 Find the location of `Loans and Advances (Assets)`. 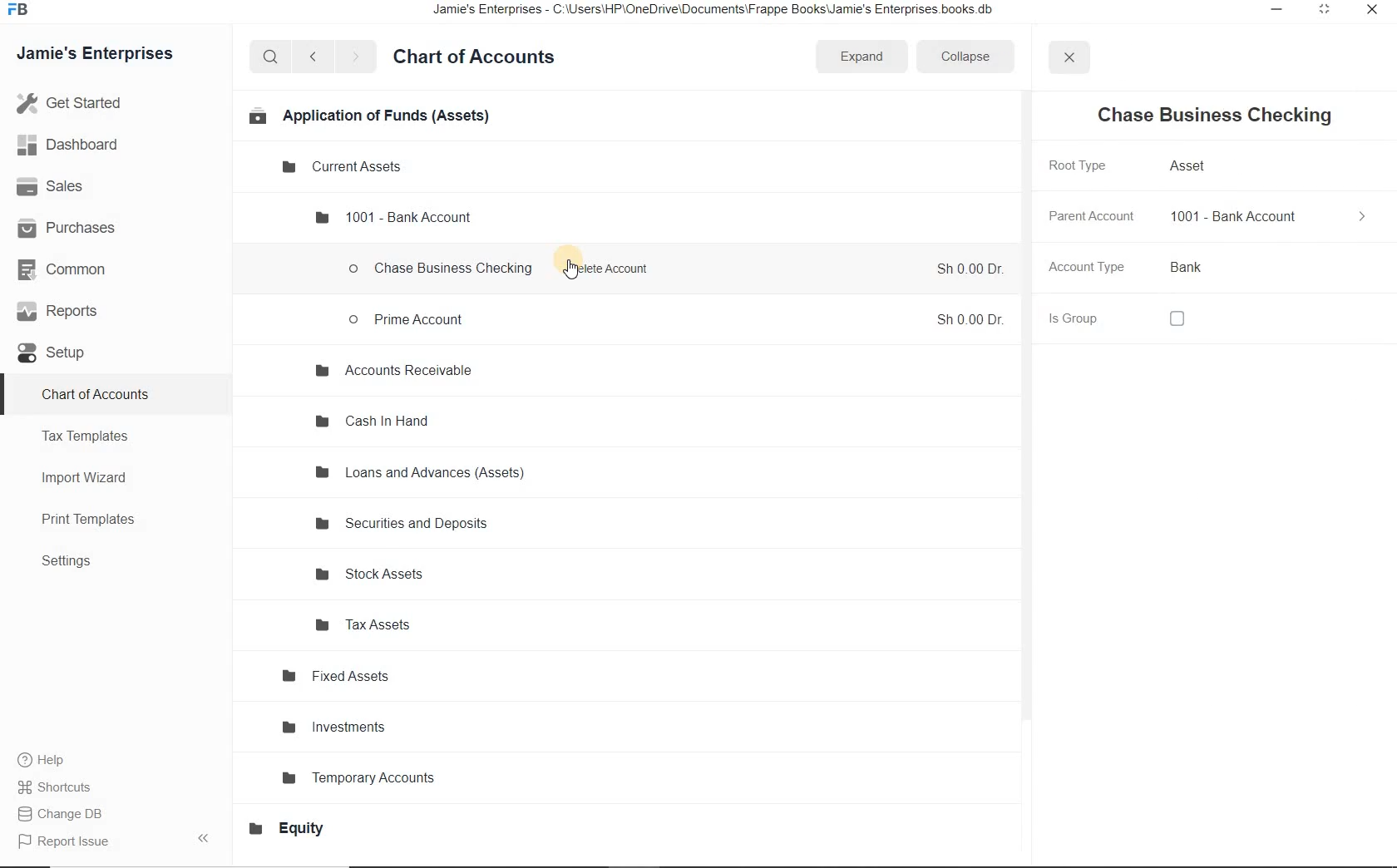

Loans and Advances (Assets) is located at coordinates (421, 473).